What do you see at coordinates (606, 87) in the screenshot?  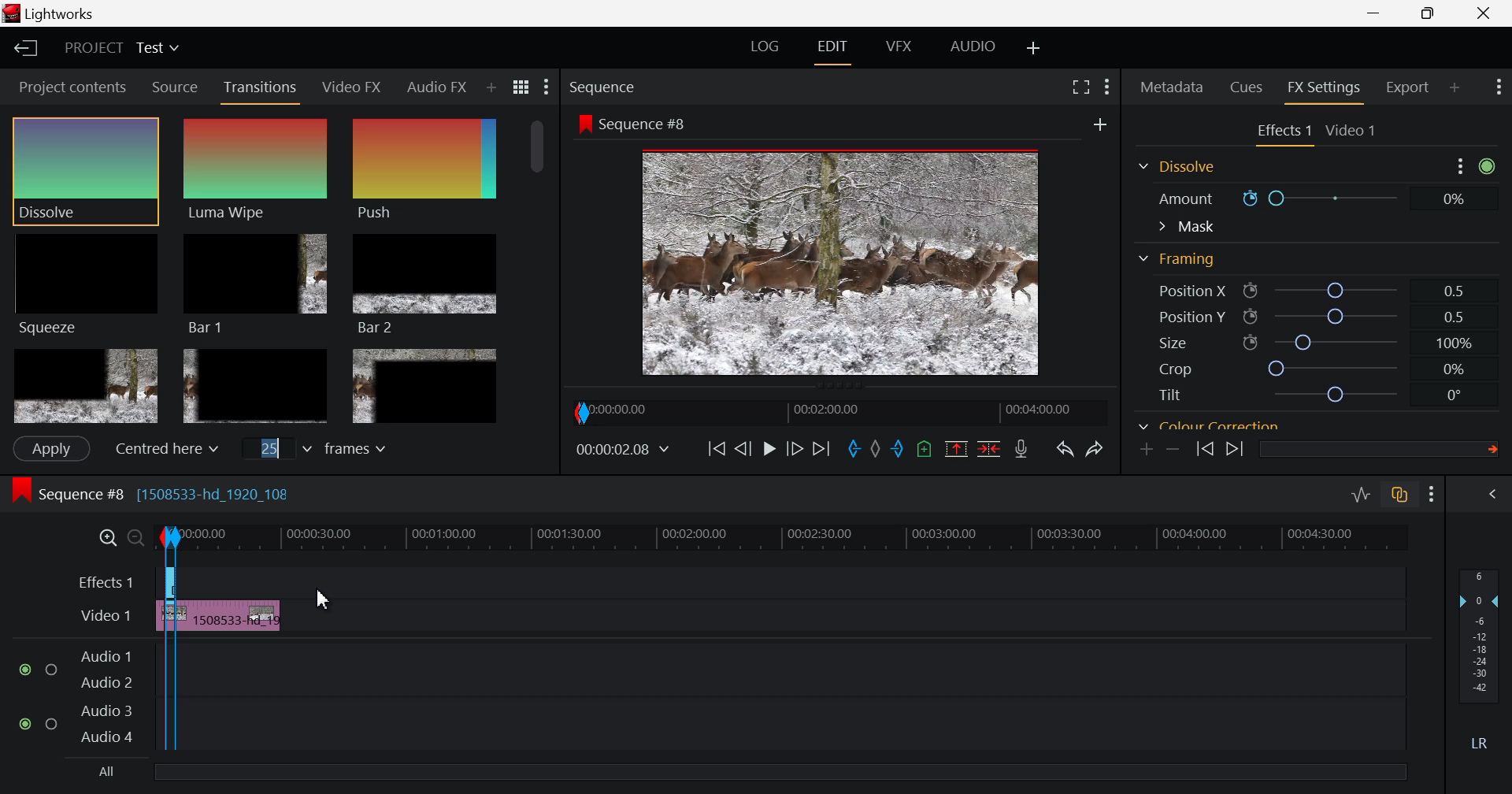 I see `Sequence ` at bounding box center [606, 87].